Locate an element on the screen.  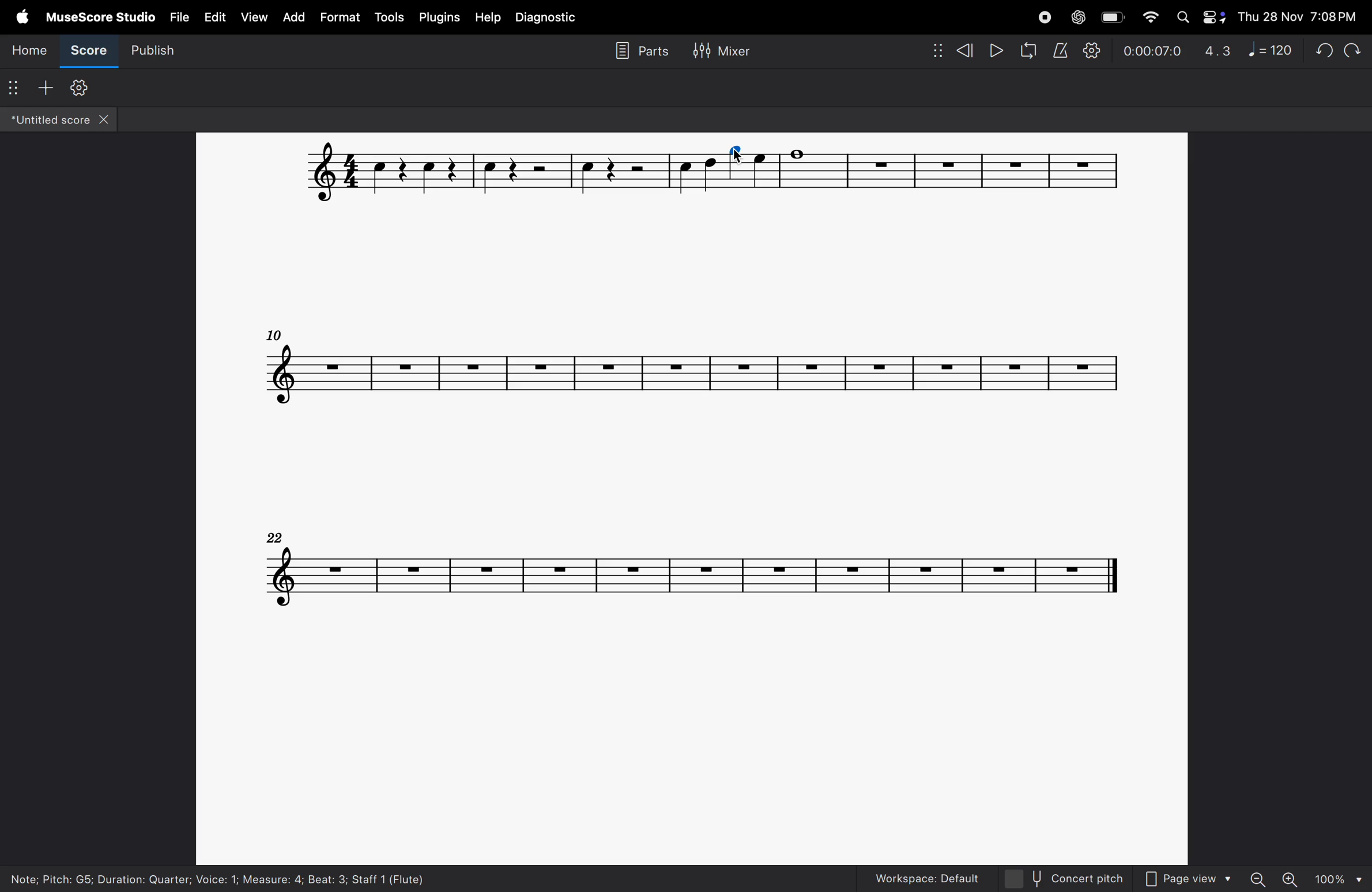
edit is located at coordinates (213, 18).